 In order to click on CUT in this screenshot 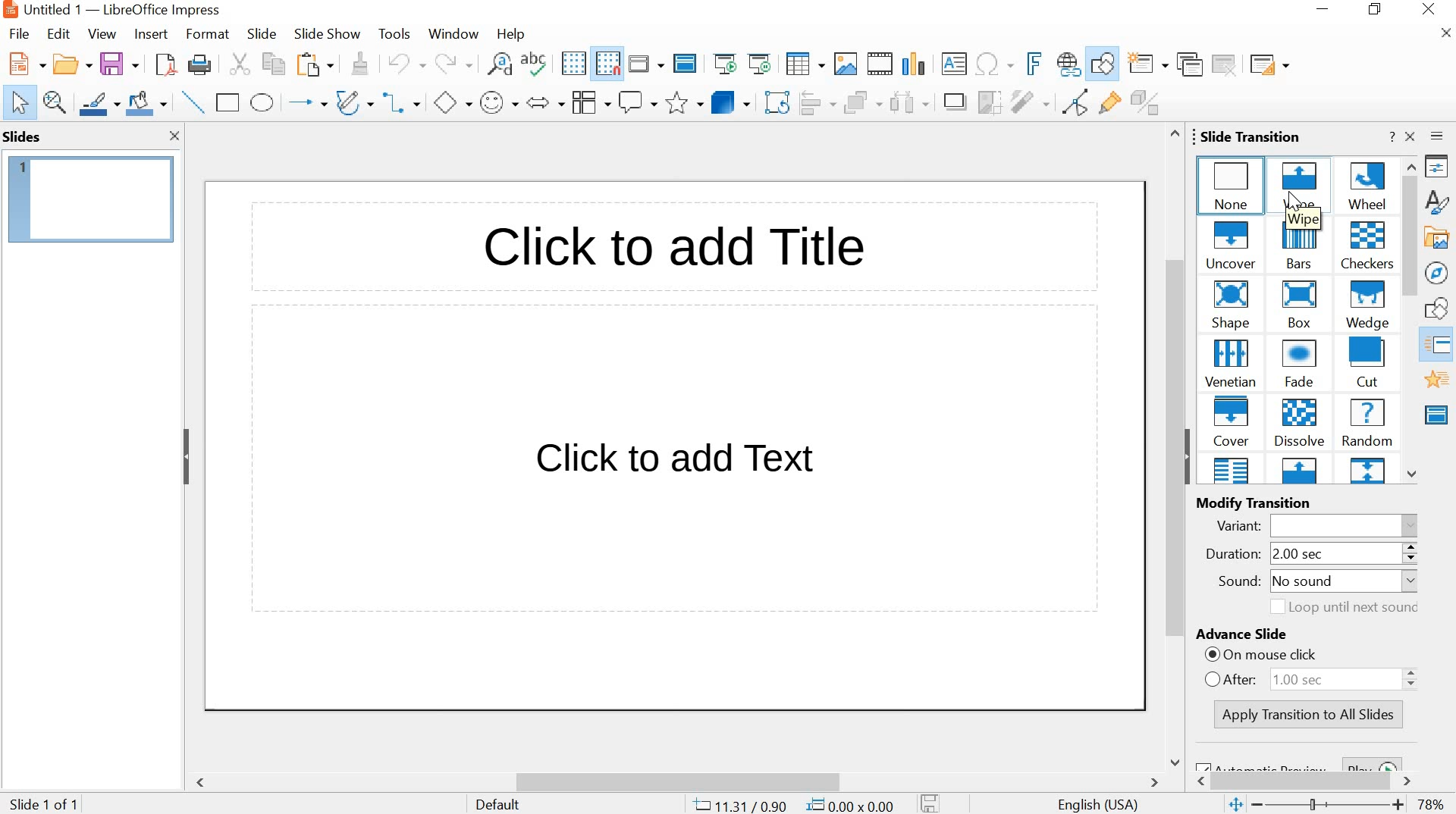, I will do `click(1368, 363)`.